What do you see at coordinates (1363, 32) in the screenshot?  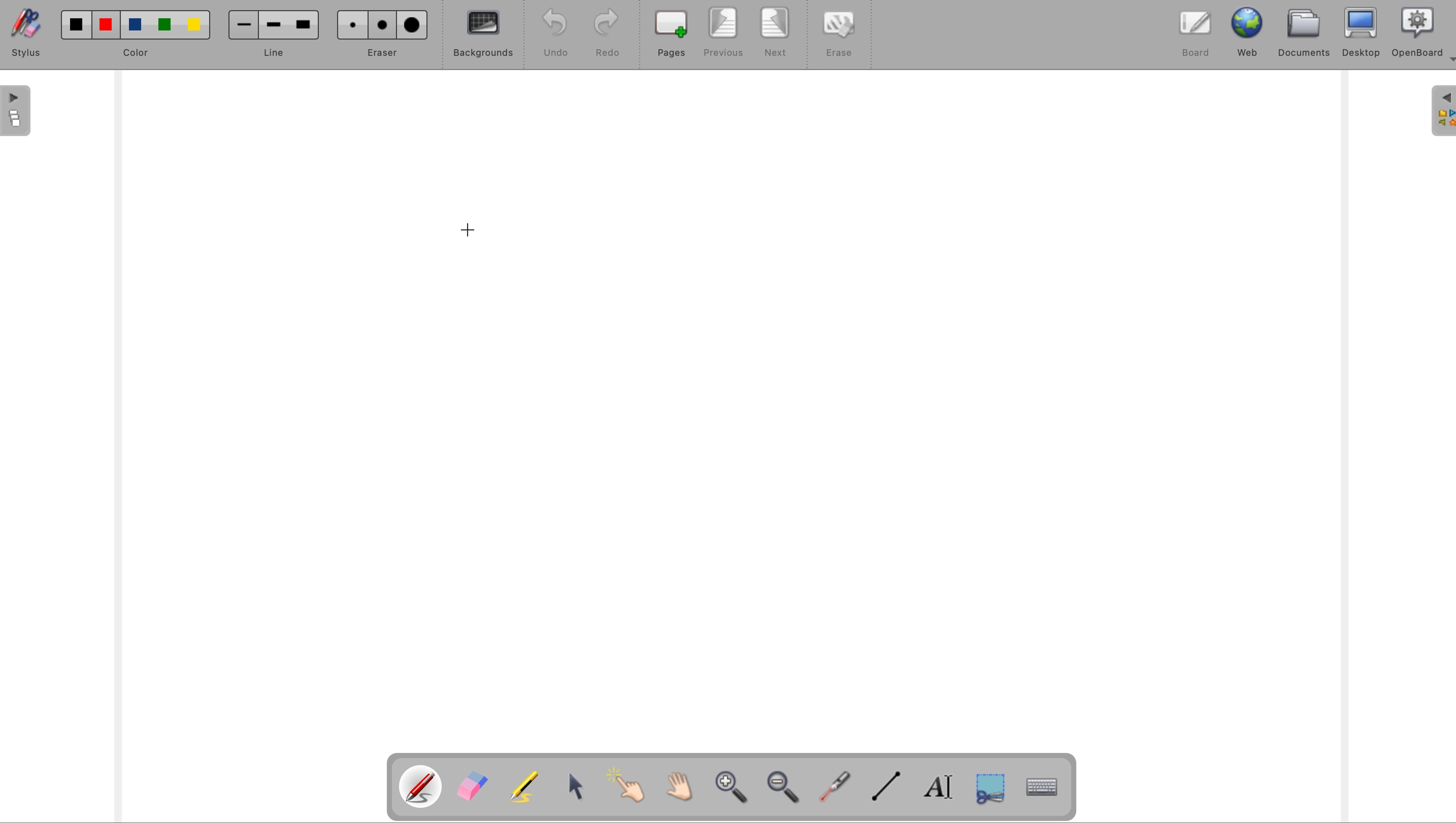 I see `desktop` at bounding box center [1363, 32].